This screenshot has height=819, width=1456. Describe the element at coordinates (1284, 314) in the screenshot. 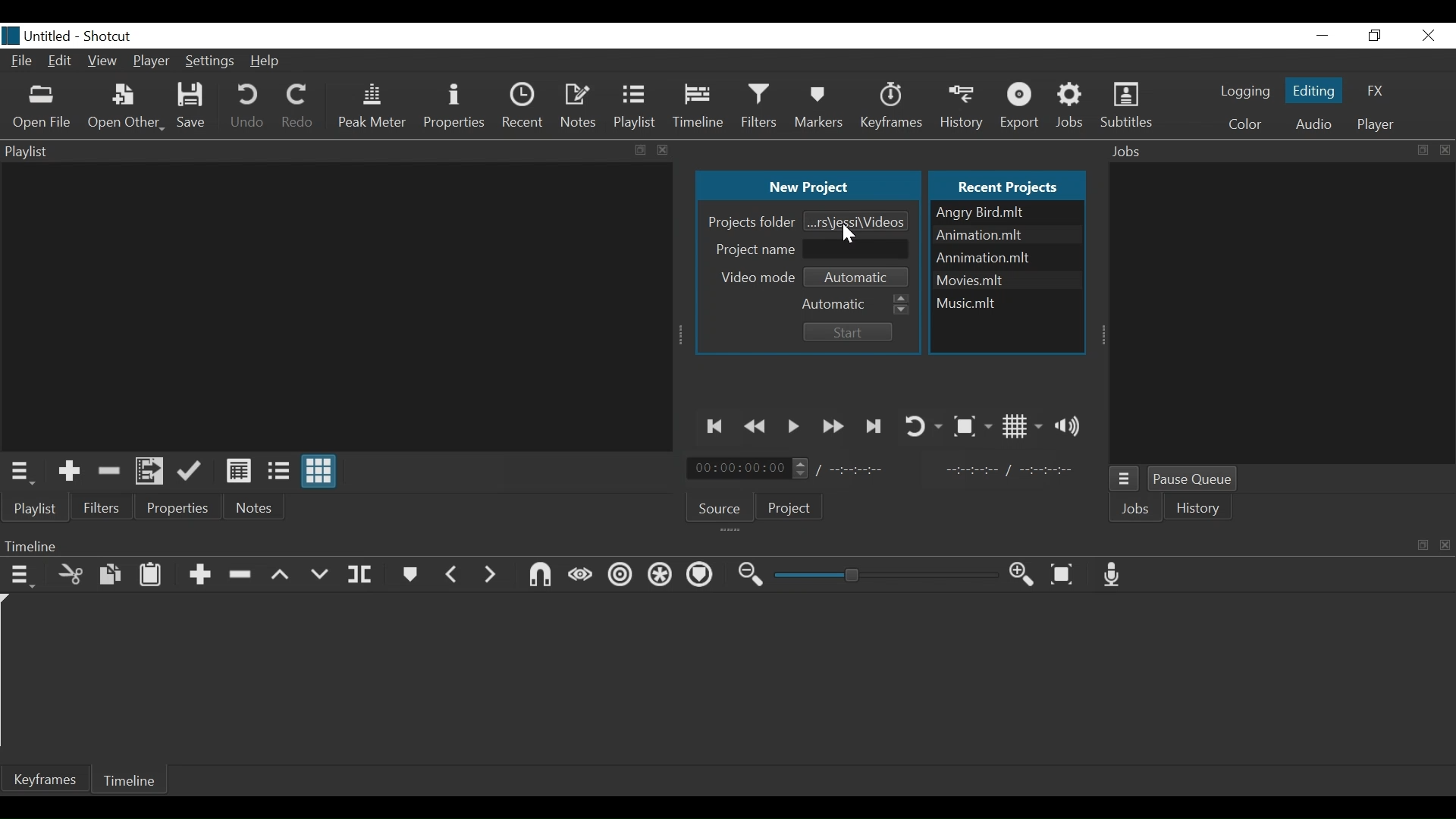

I see `Jobs Panel` at that location.